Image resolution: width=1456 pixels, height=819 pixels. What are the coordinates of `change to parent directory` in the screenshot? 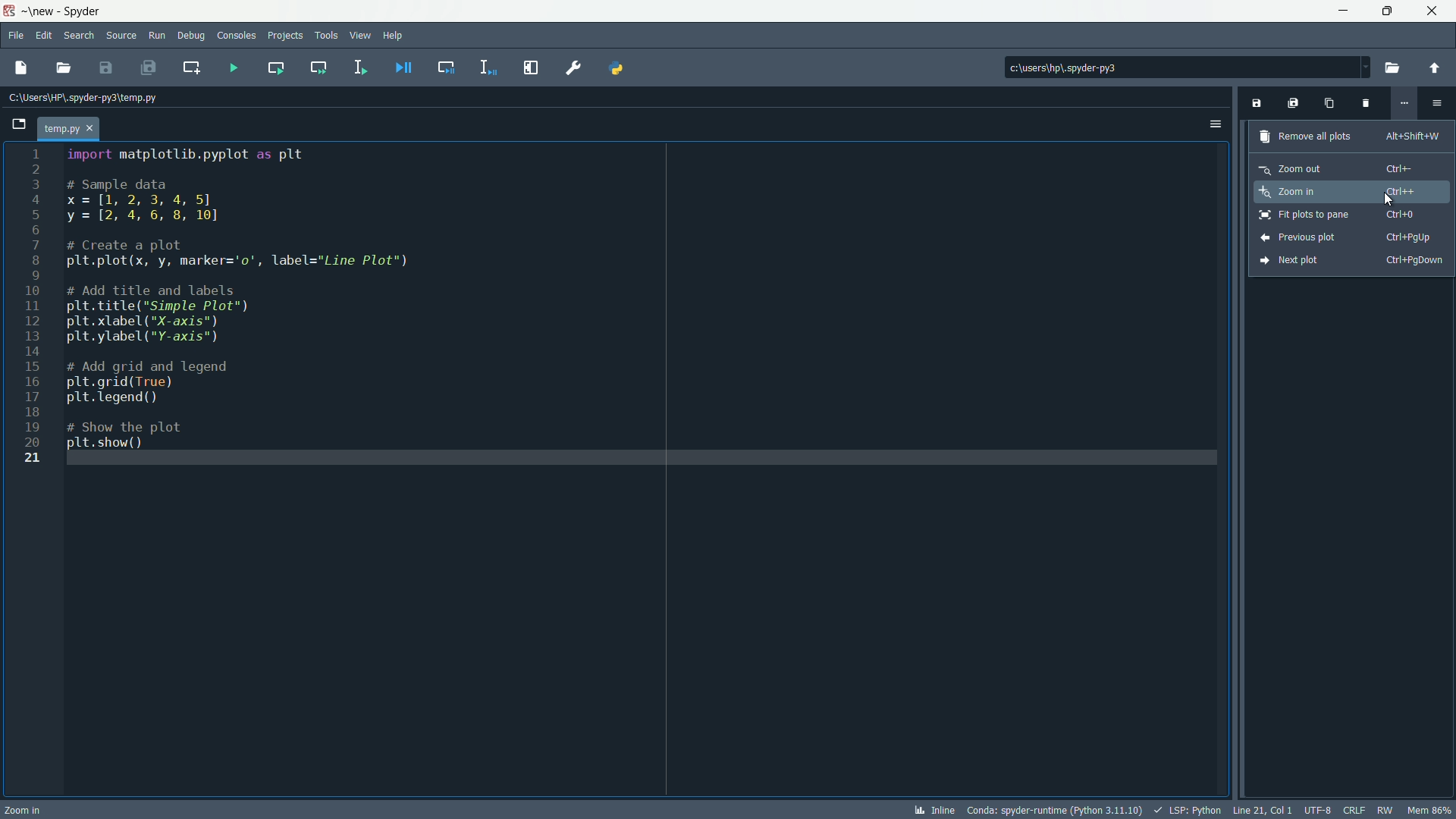 It's located at (1436, 67).